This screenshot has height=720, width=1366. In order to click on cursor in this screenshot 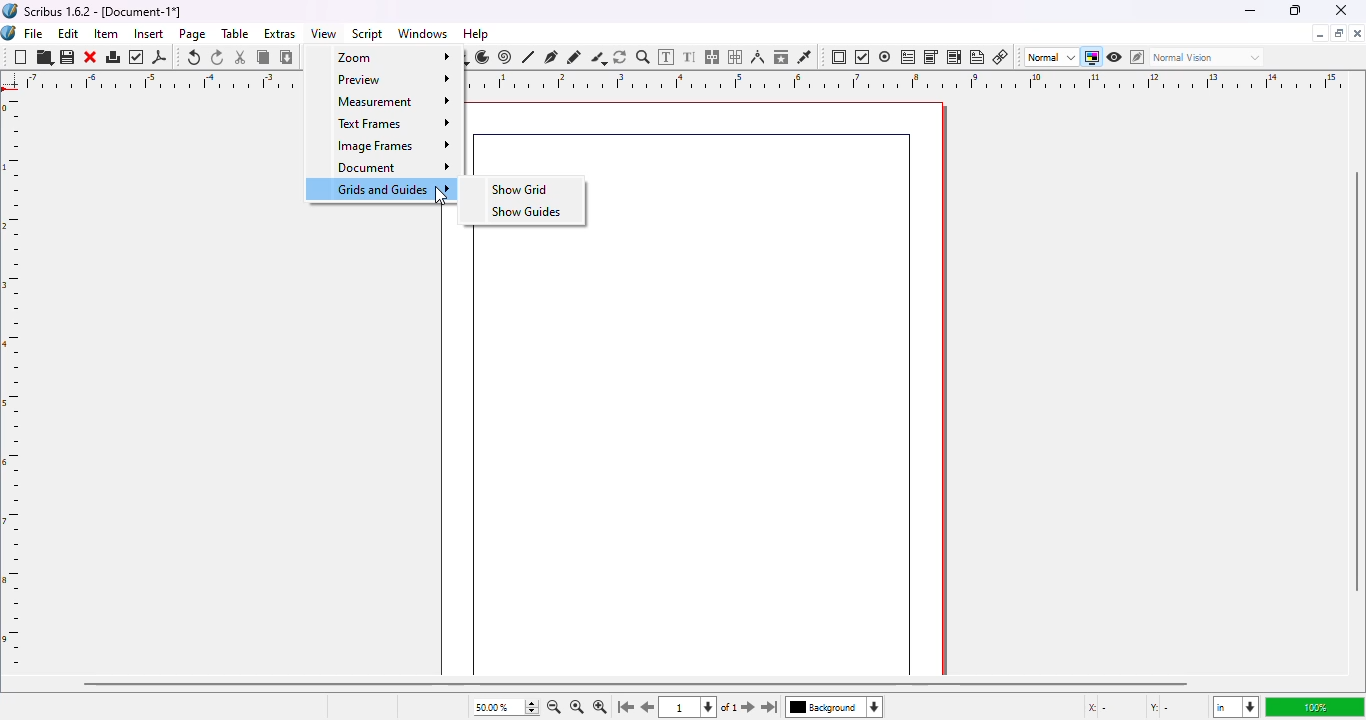, I will do `click(441, 195)`.